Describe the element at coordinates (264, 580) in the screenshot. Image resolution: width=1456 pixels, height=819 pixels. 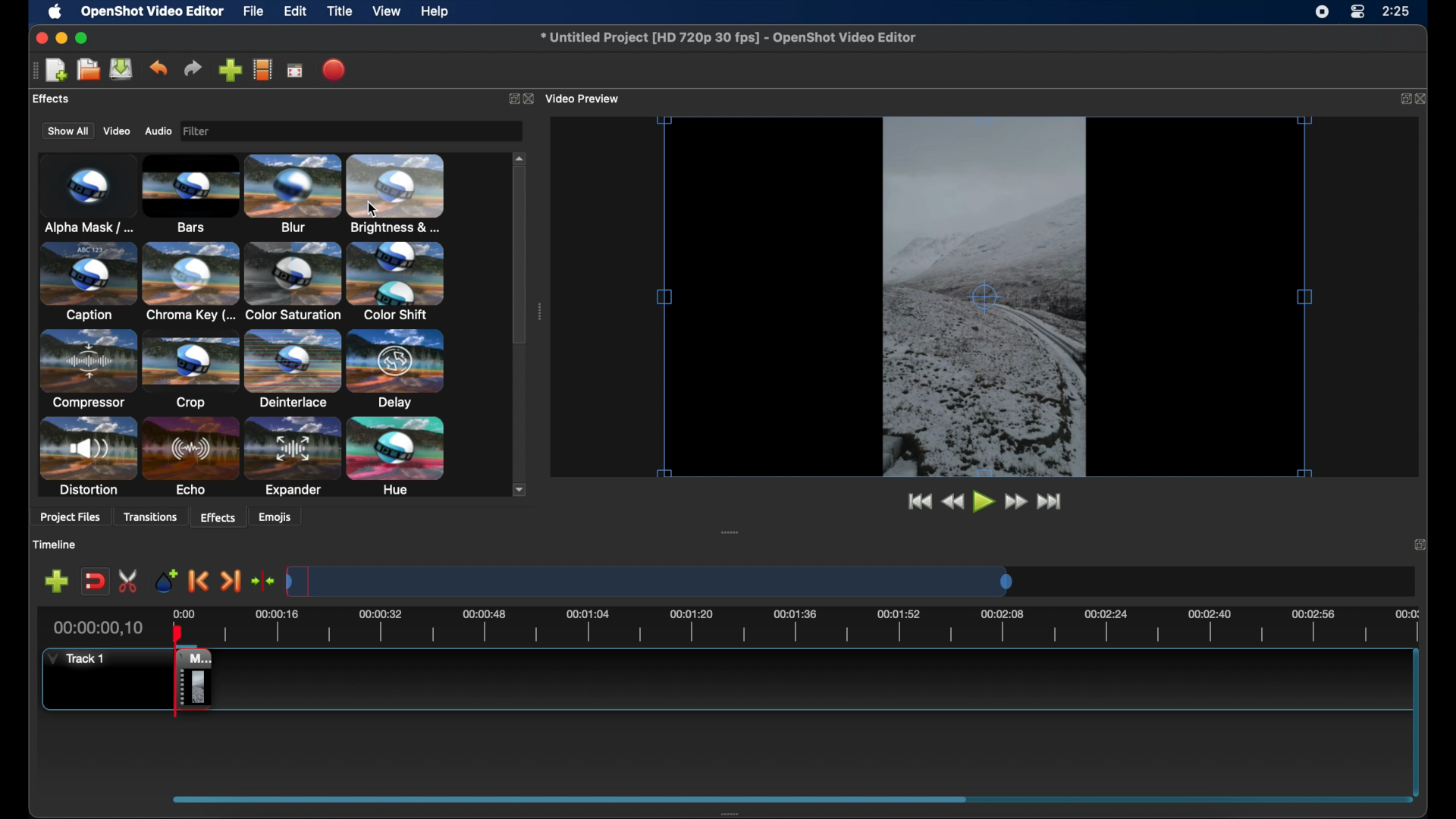
I see `center playhead on the timeline` at that location.